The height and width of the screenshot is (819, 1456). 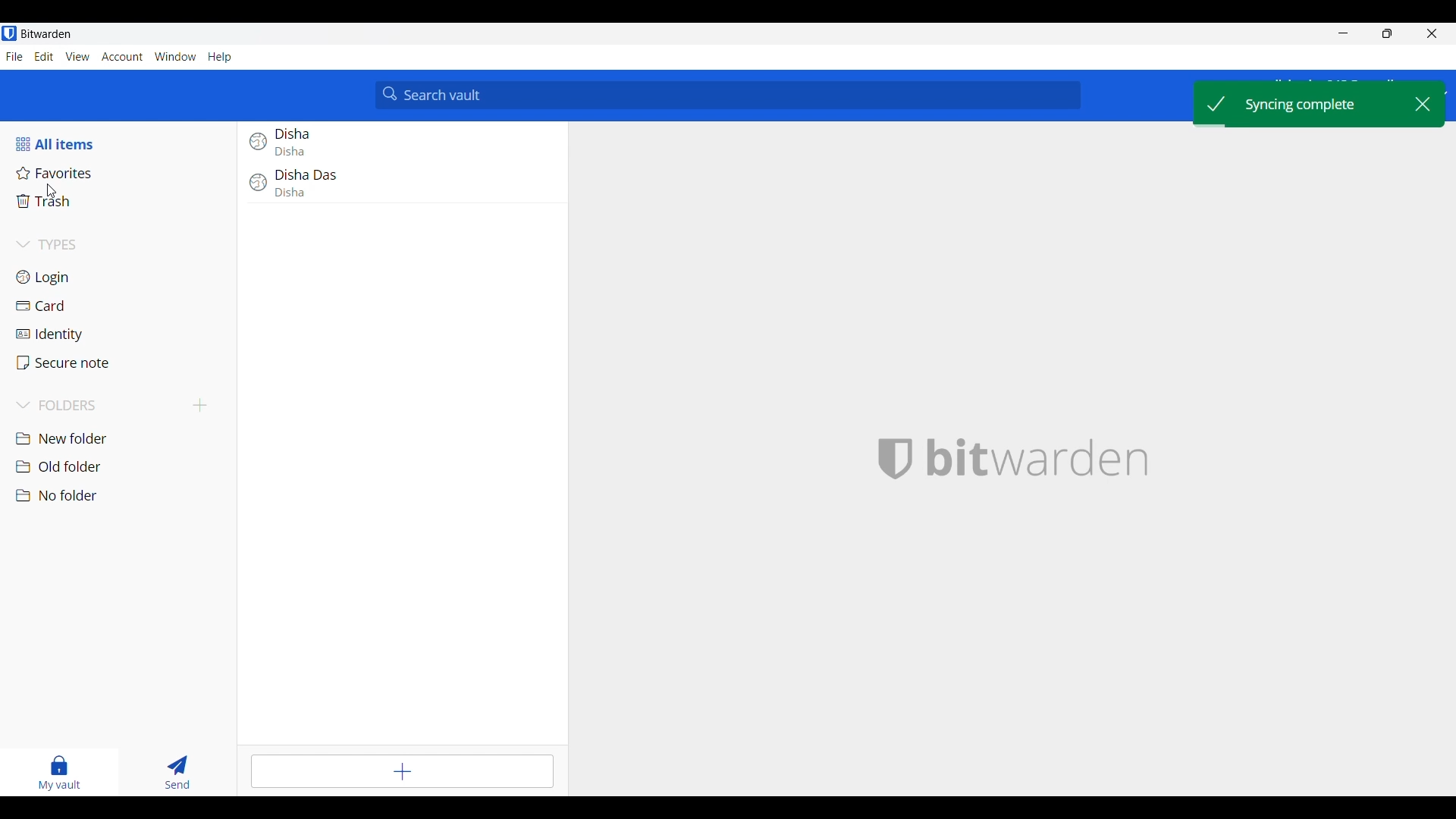 What do you see at coordinates (123, 335) in the screenshot?
I see `Identity` at bounding box center [123, 335].